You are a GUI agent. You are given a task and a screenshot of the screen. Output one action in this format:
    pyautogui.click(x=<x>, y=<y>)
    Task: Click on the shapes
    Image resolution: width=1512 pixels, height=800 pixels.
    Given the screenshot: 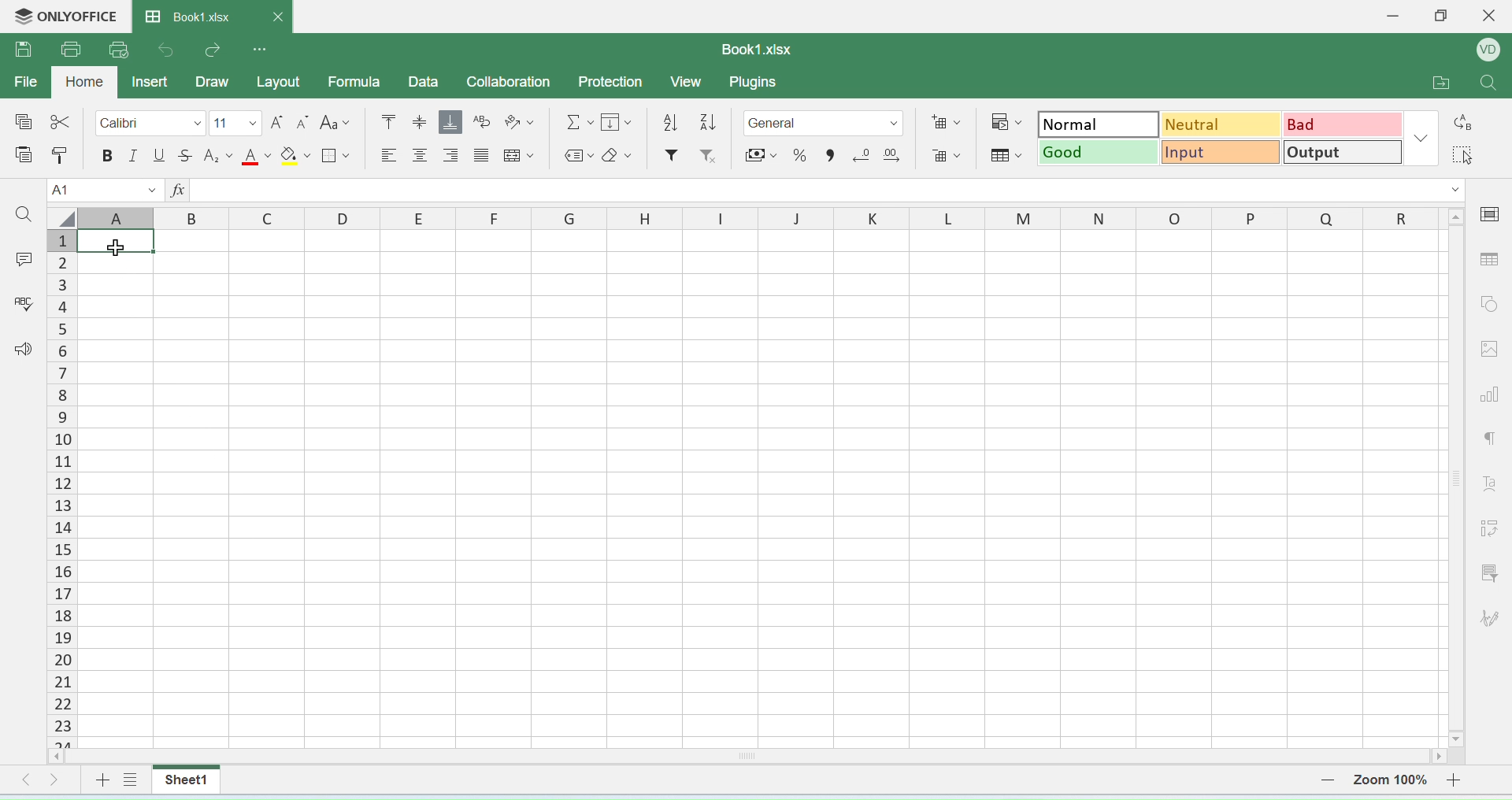 What is the action you would take?
    pyautogui.click(x=1490, y=302)
    